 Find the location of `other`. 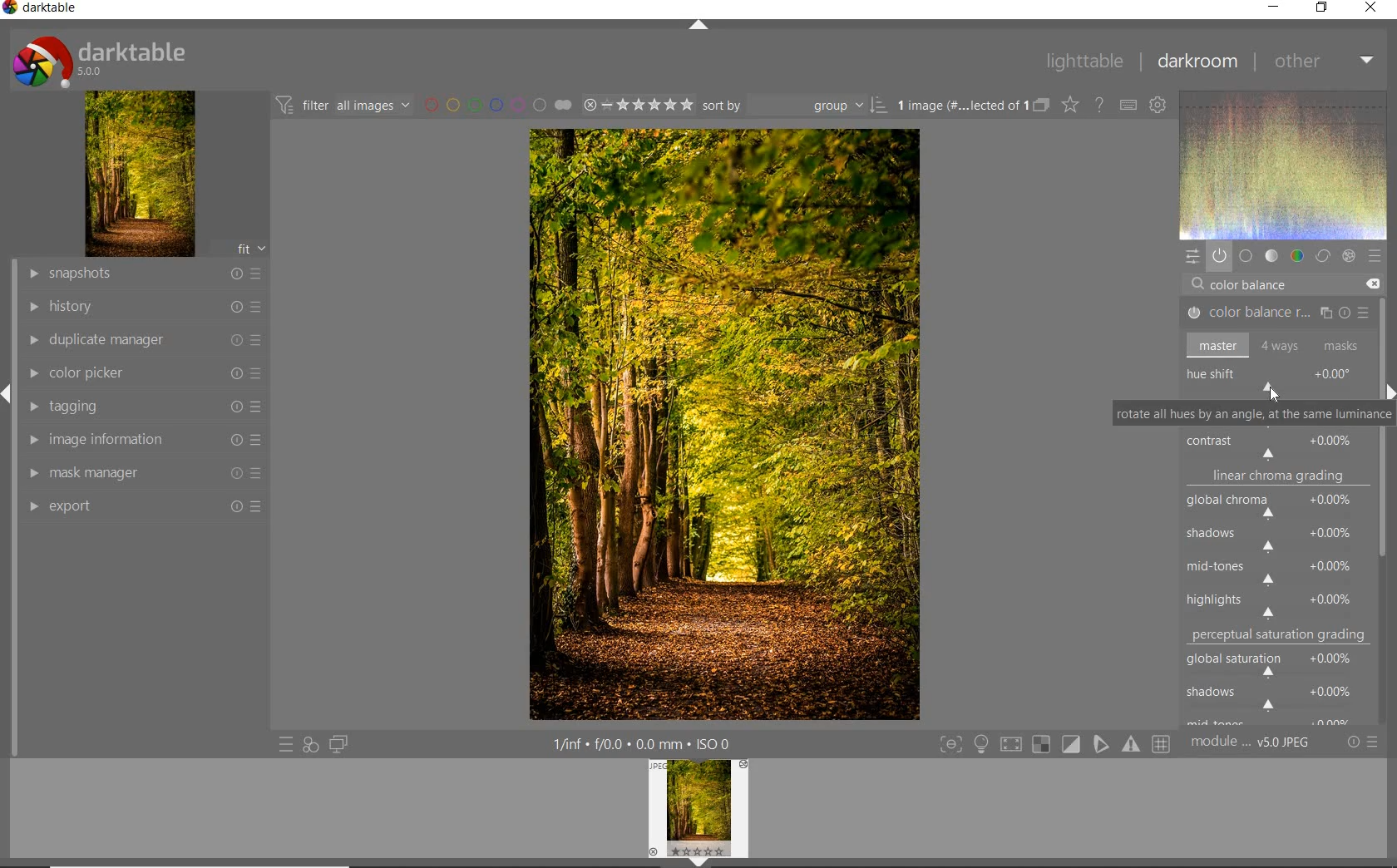

other is located at coordinates (1325, 62).